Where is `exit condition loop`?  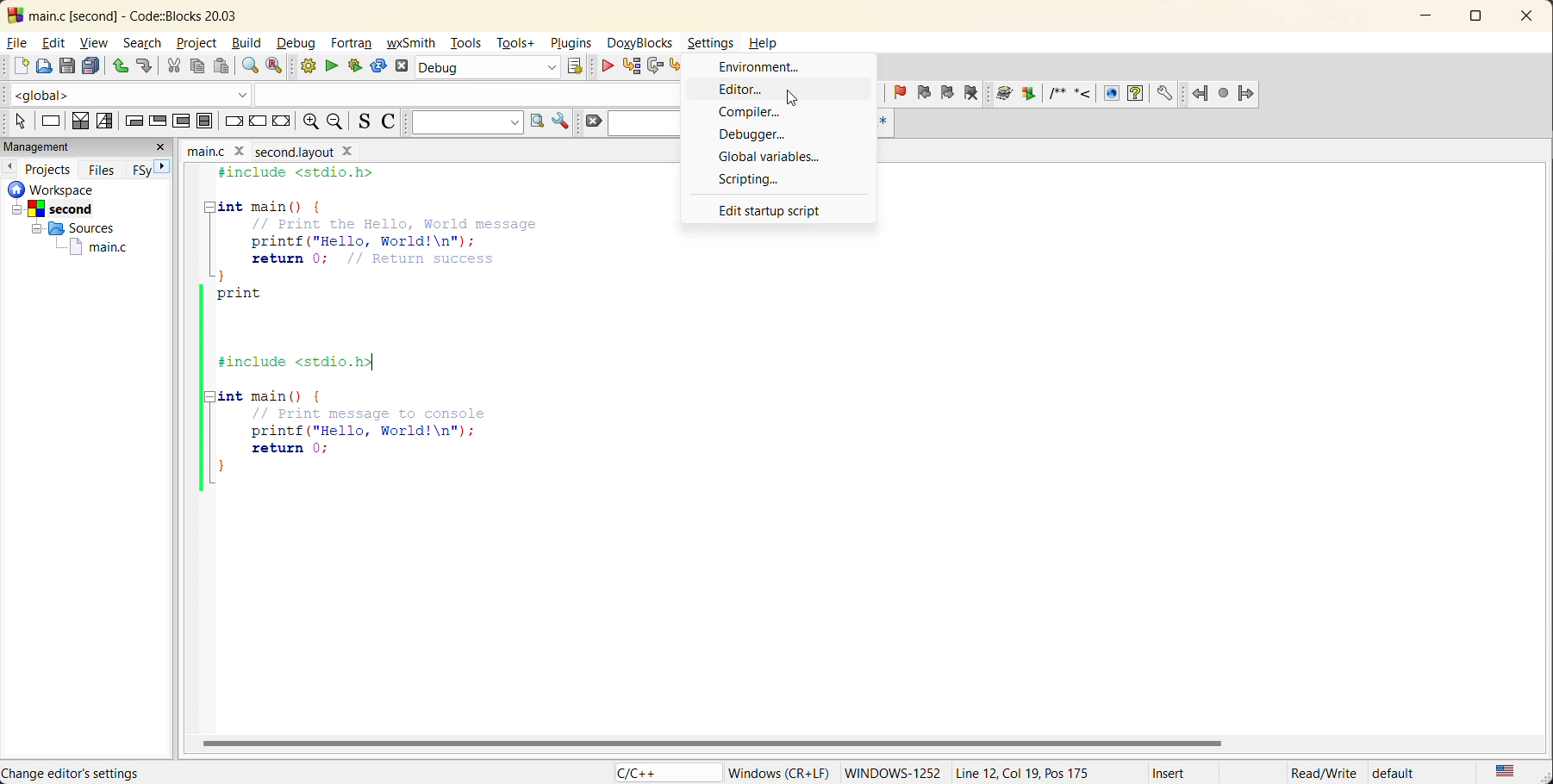
exit condition loop is located at coordinates (155, 121).